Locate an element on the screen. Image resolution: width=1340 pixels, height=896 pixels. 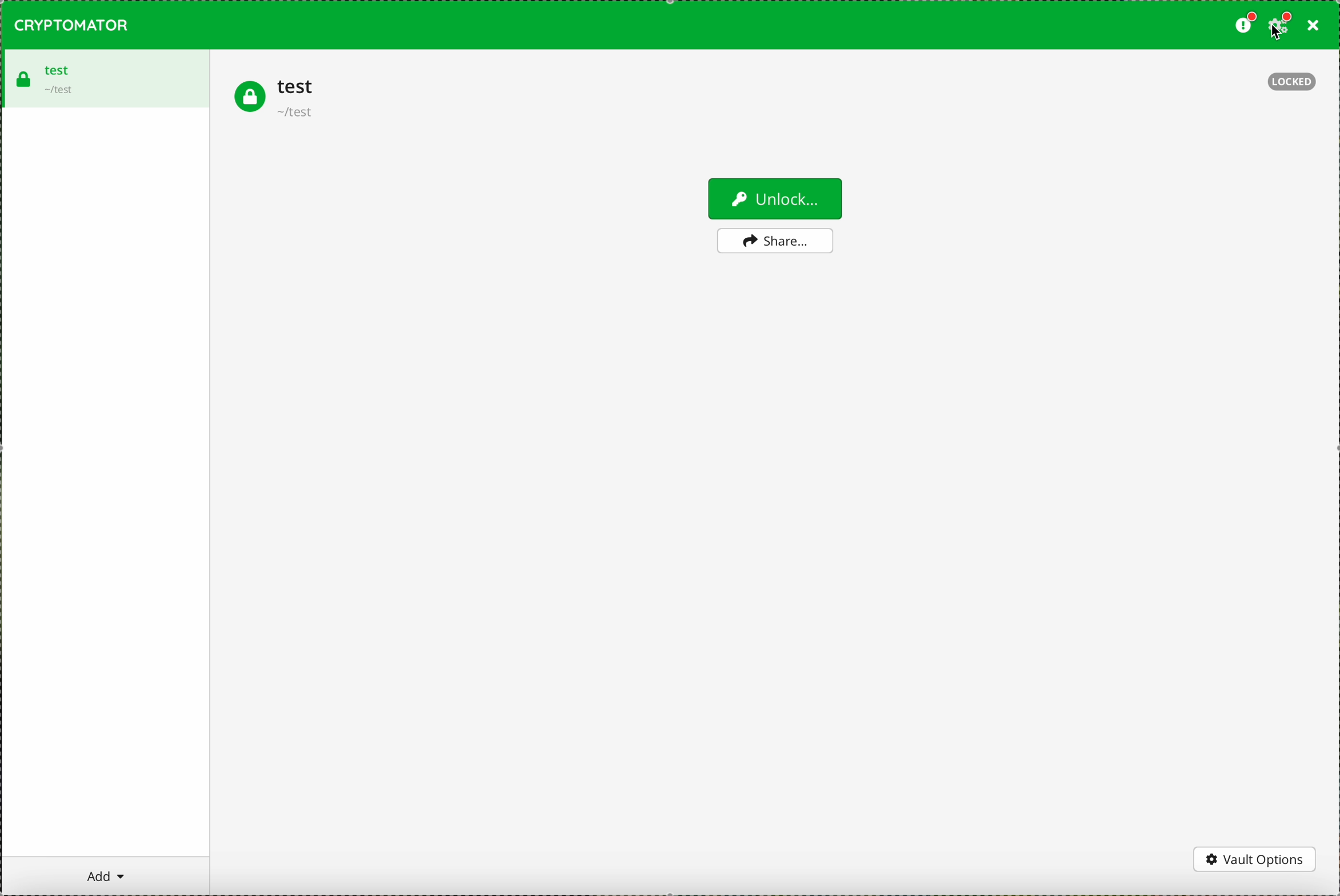
add is located at coordinates (106, 875).